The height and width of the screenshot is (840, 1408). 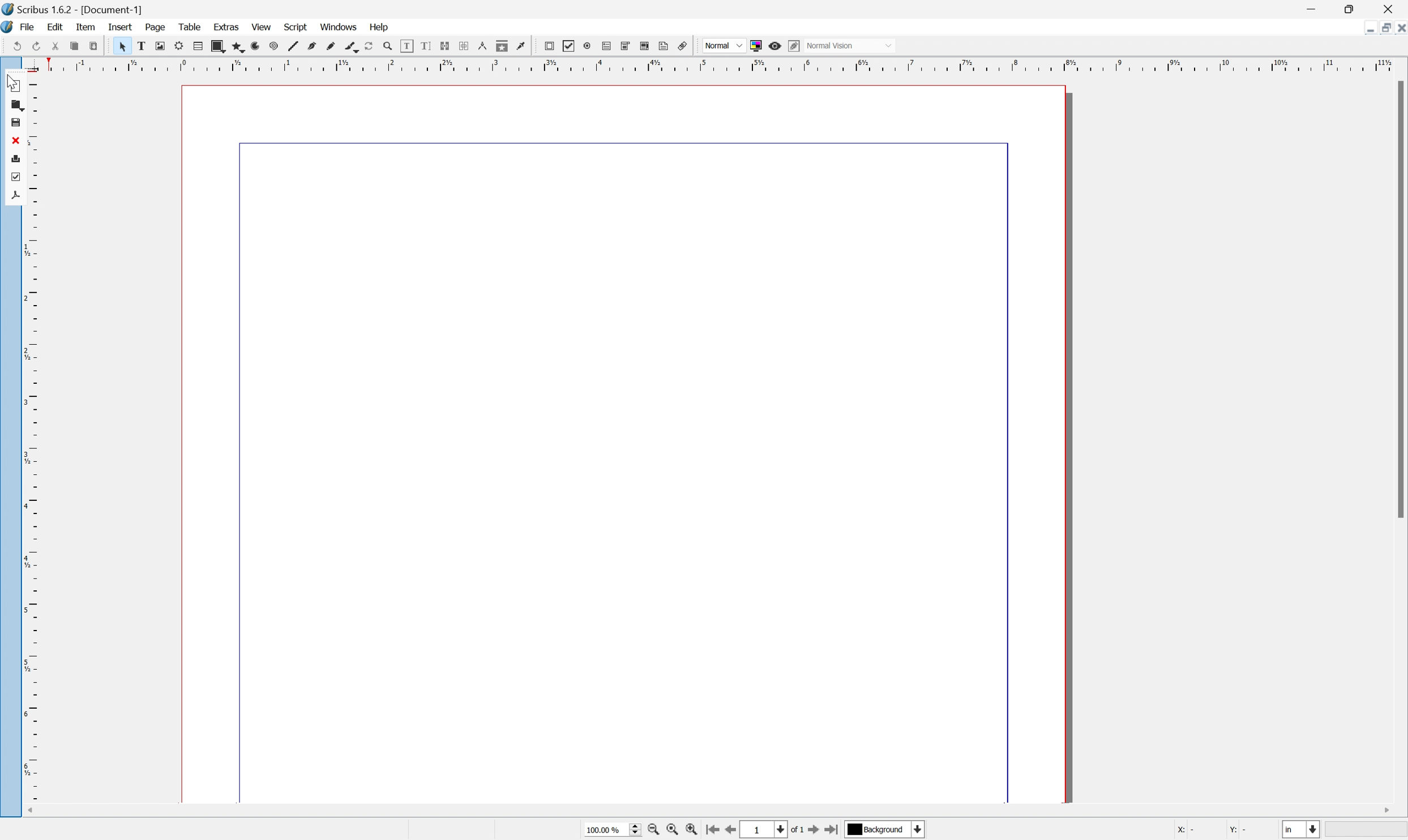 I want to click on minimize, so click(x=1370, y=28).